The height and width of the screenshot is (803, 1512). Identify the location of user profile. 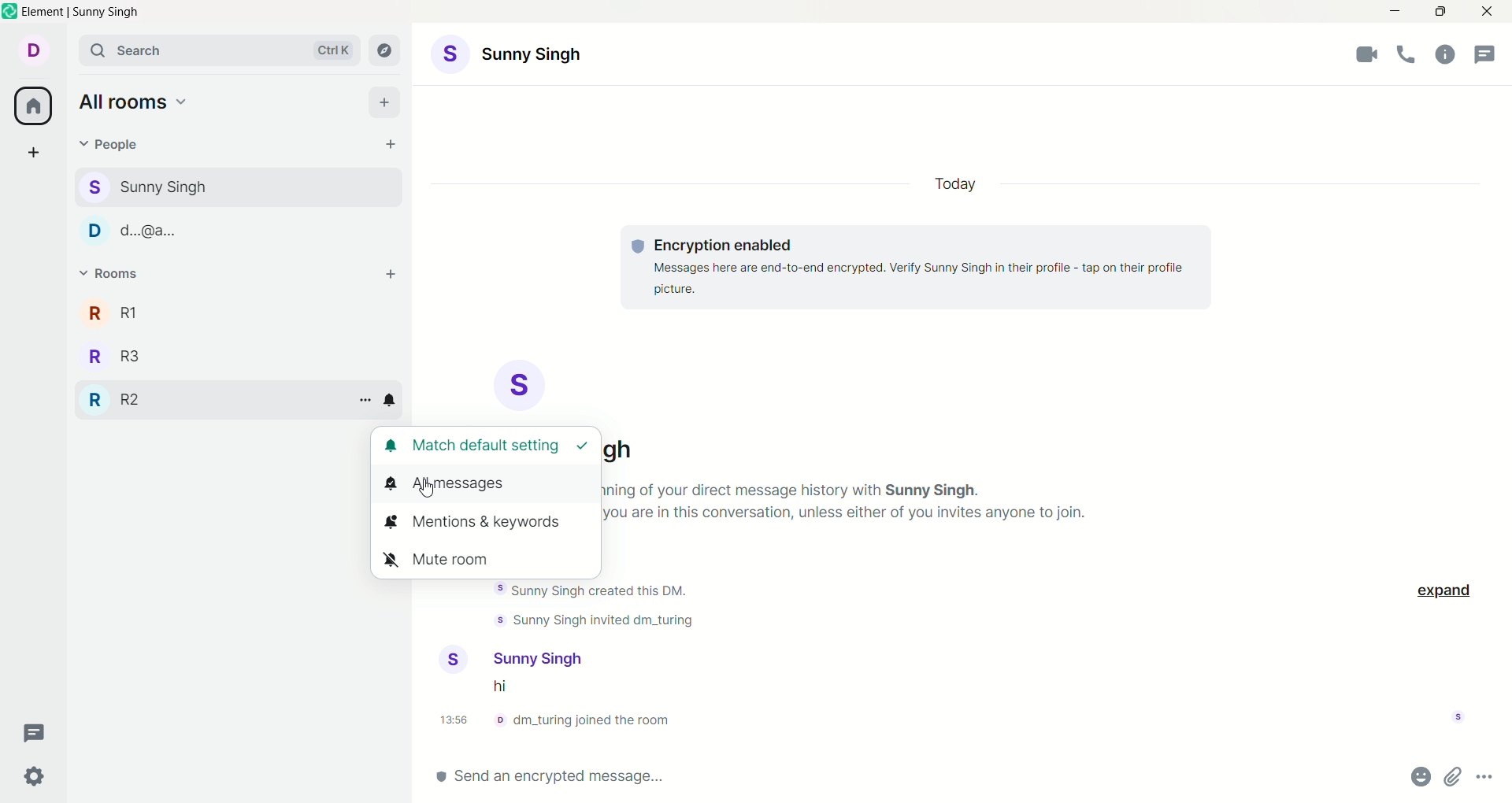
(457, 659).